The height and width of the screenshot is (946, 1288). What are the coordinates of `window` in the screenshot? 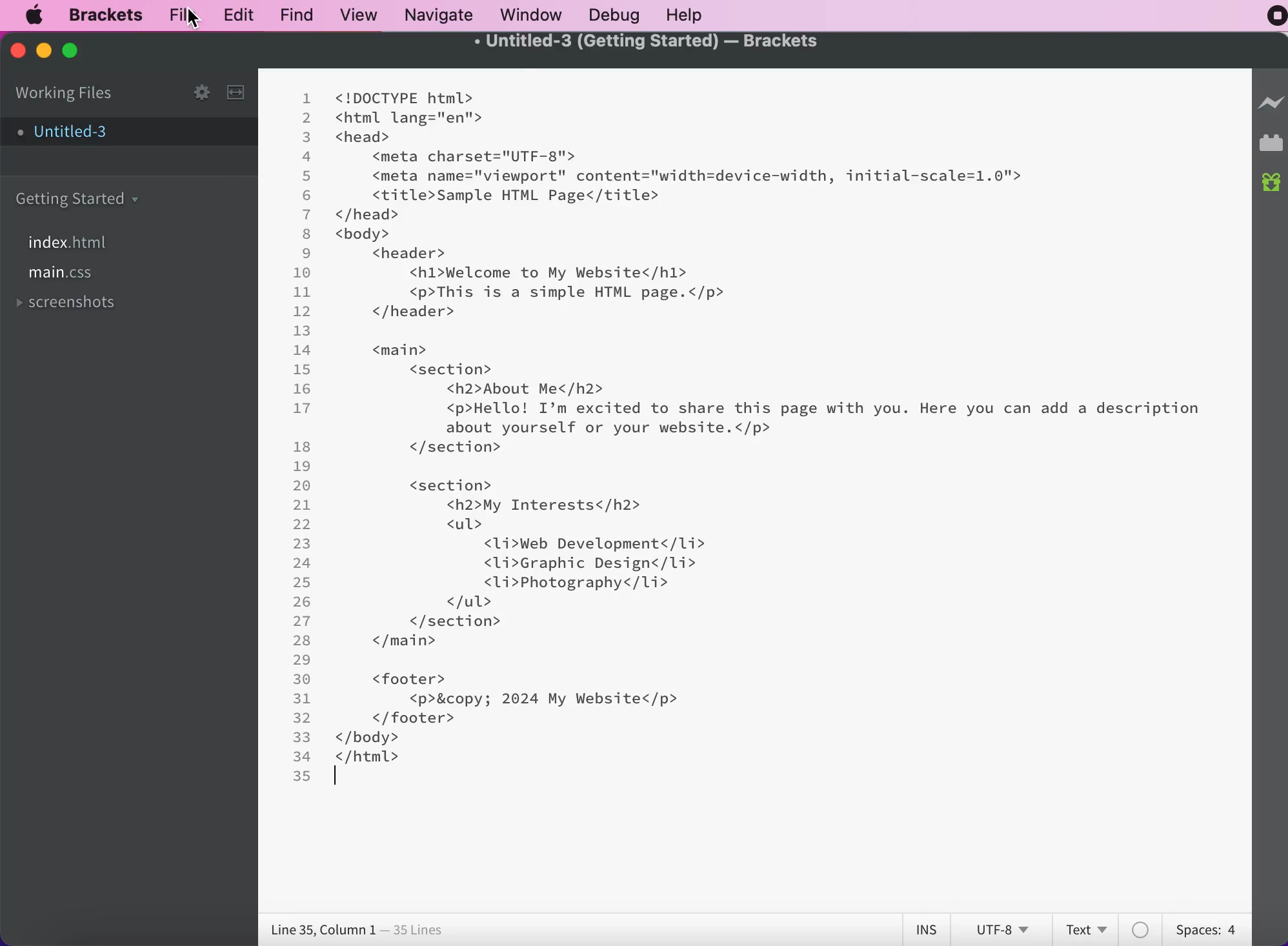 It's located at (533, 14).